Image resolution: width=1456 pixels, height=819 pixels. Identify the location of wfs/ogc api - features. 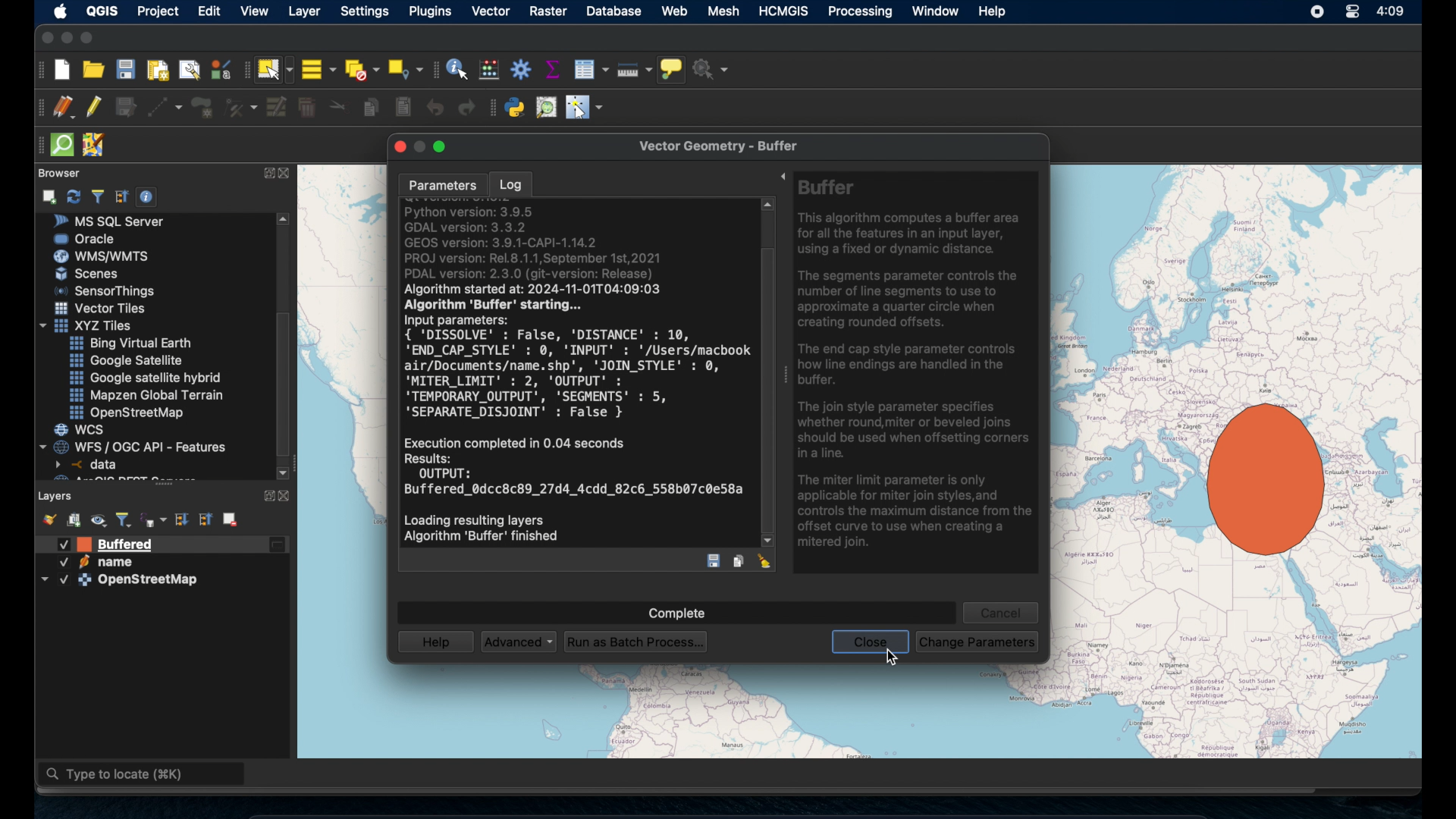
(135, 446).